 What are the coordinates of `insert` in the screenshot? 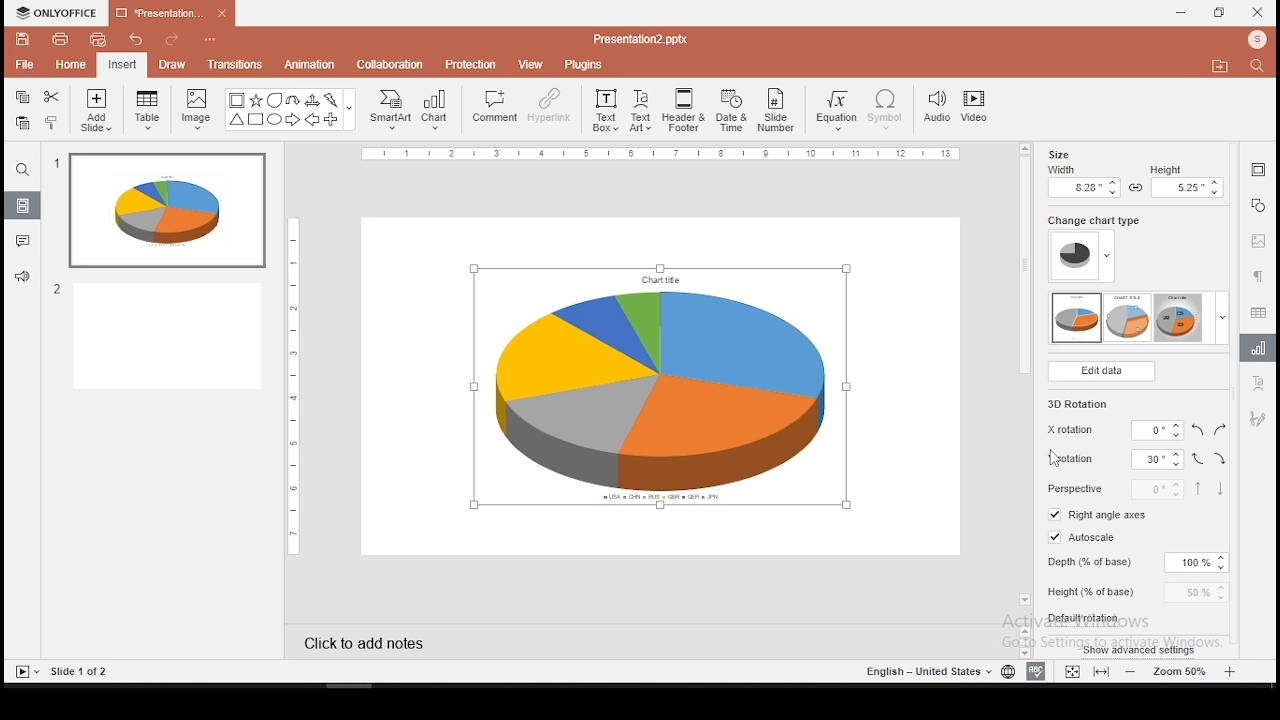 It's located at (123, 64).